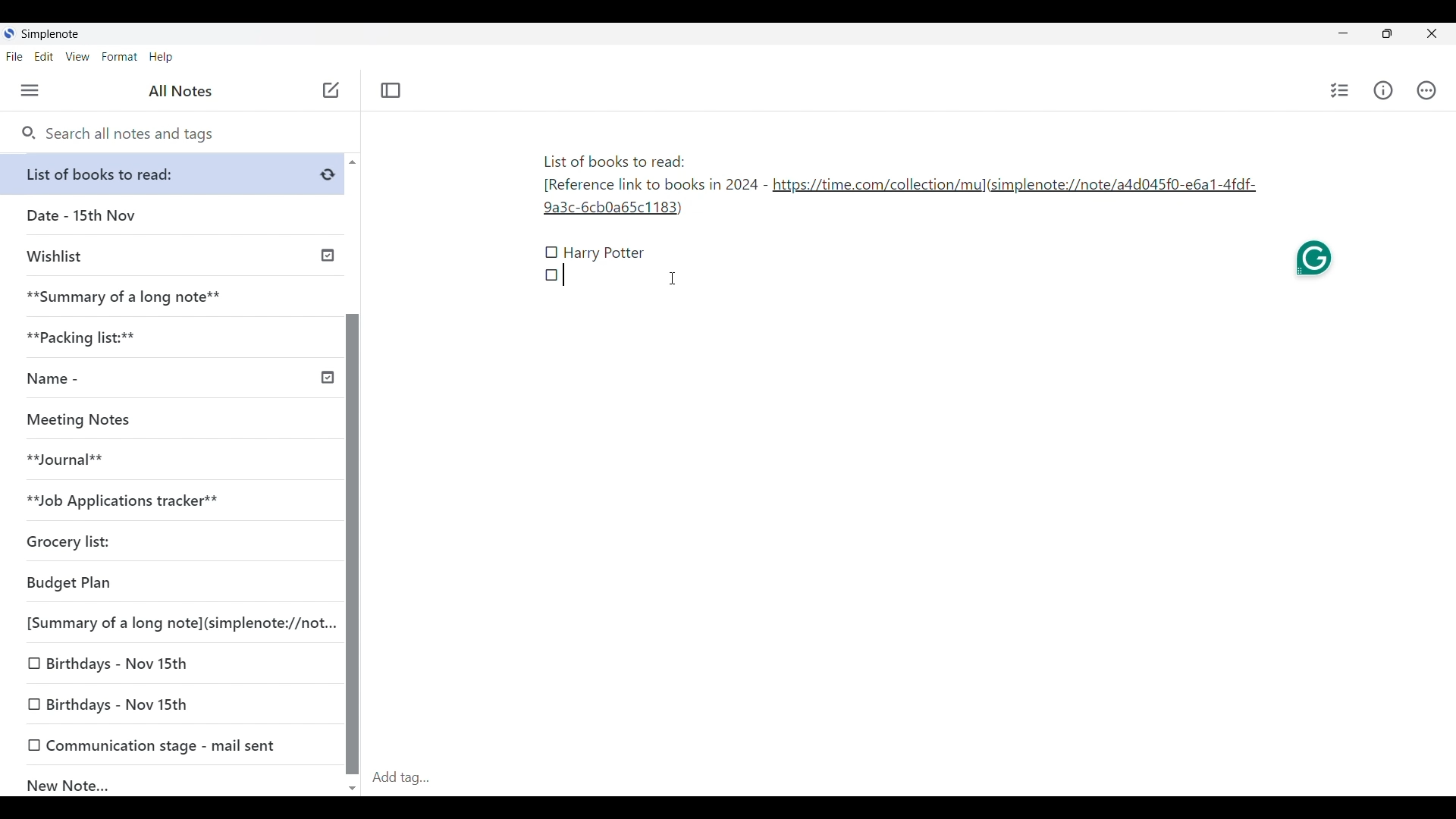 Image resolution: width=1456 pixels, height=819 pixels. What do you see at coordinates (1383, 90) in the screenshot?
I see `Info` at bounding box center [1383, 90].